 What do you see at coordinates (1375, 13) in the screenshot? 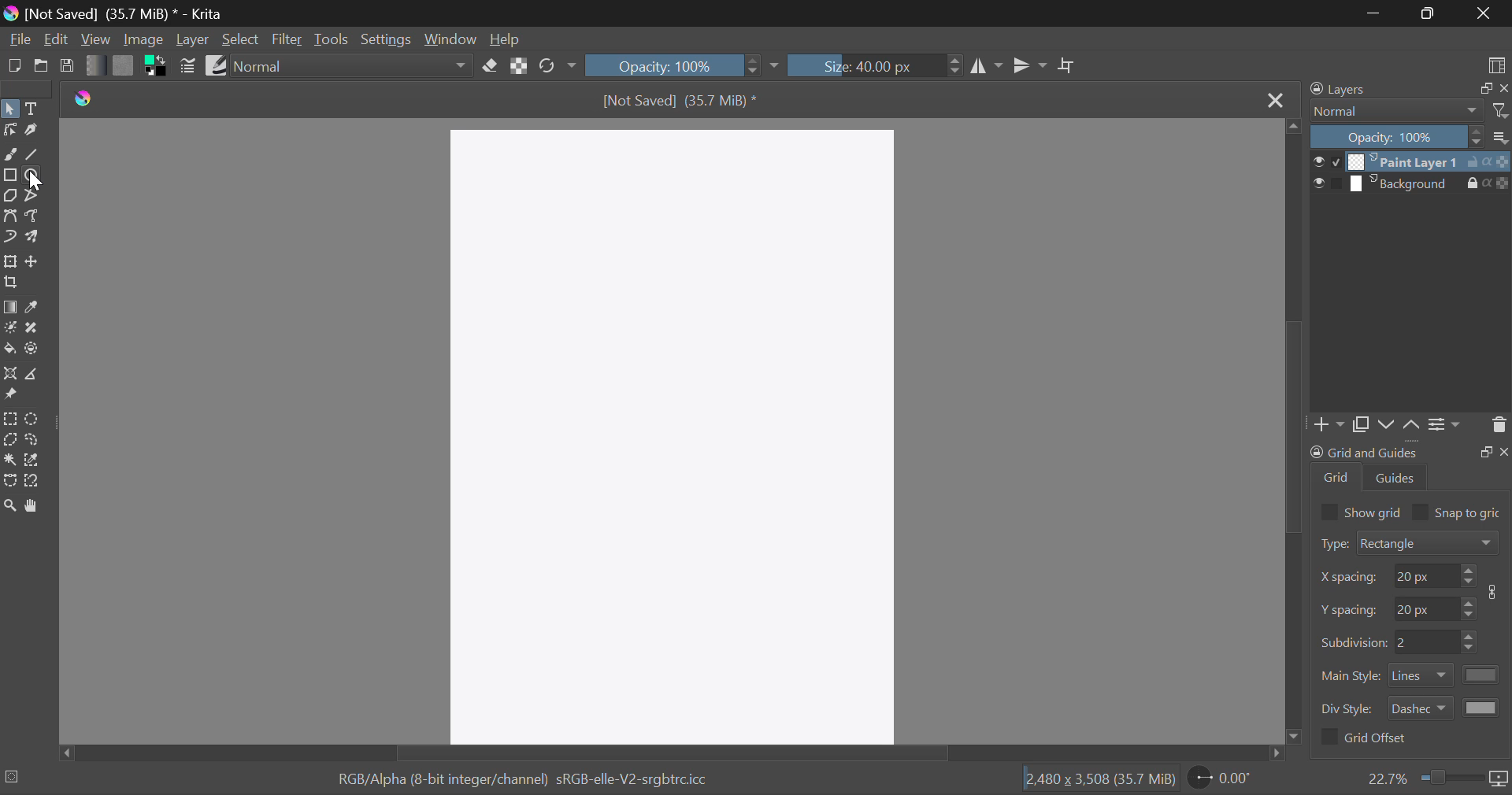
I see `Restore Down` at bounding box center [1375, 13].